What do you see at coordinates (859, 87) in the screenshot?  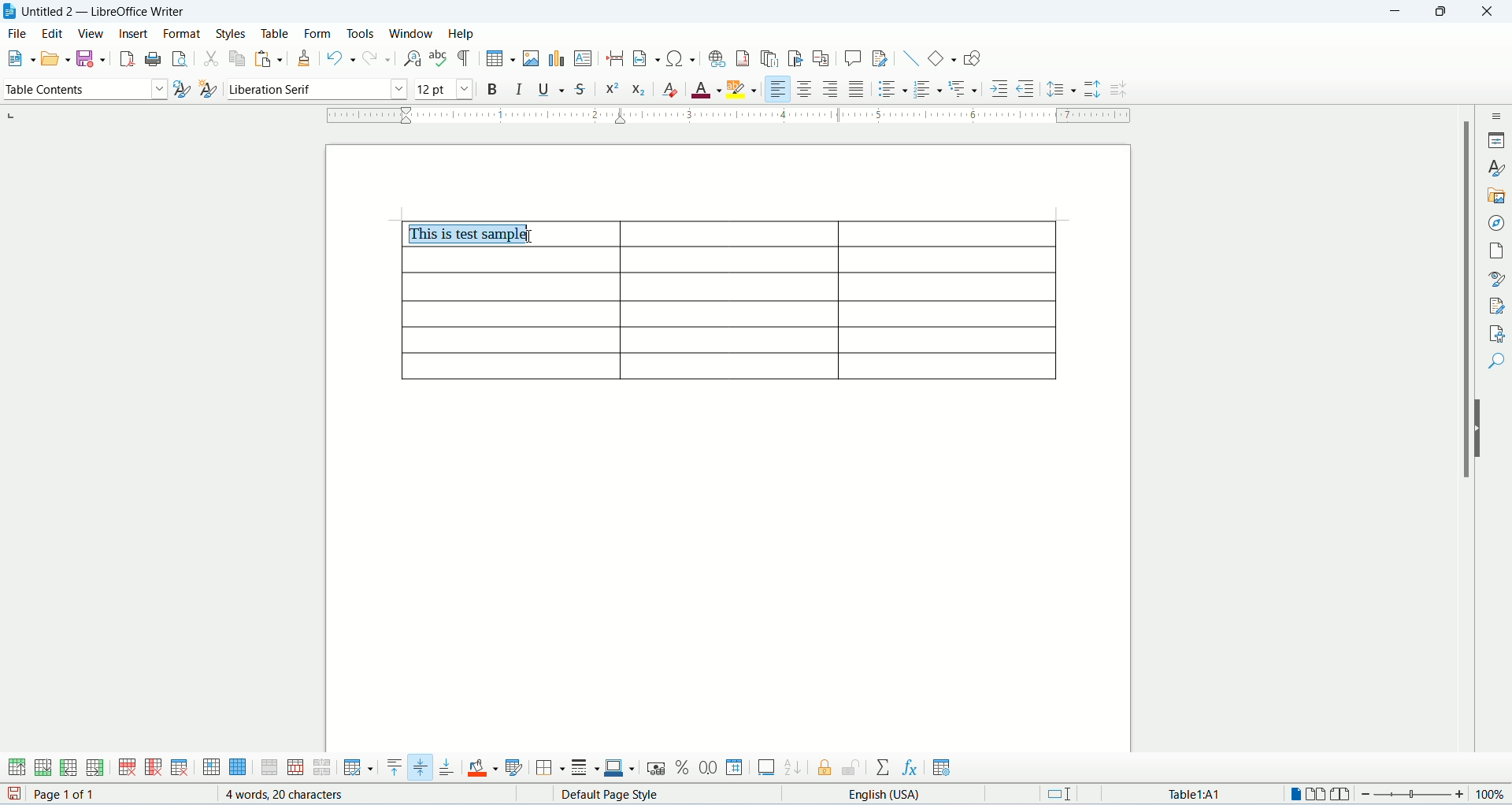 I see `justified` at bounding box center [859, 87].